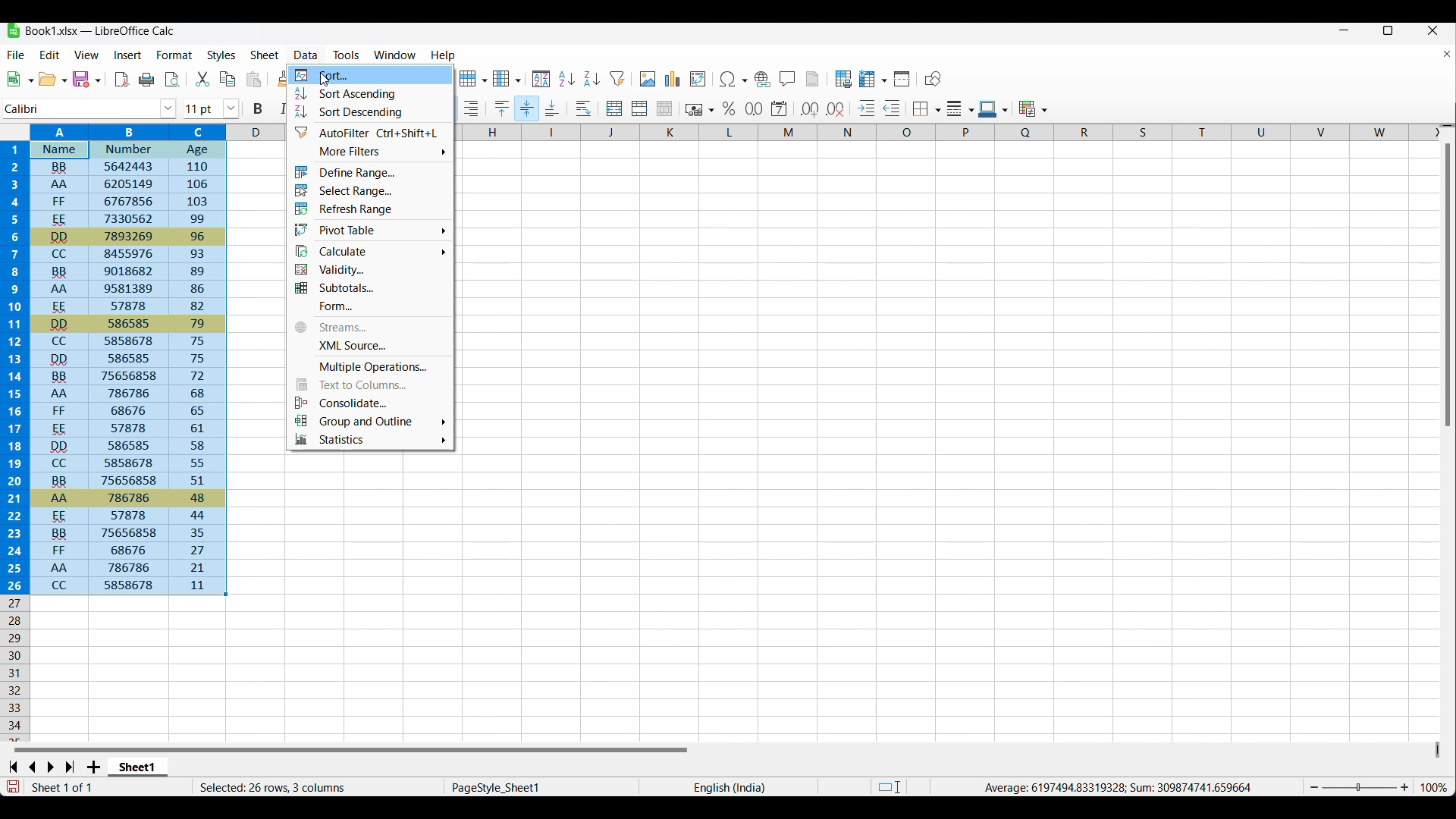 Image resolution: width=1456 pixels, height=819 pixels. What do you see at coordinates (369, 420) in the screenshot?
I see `Group and Outline options` at bounding box center [369, 420].